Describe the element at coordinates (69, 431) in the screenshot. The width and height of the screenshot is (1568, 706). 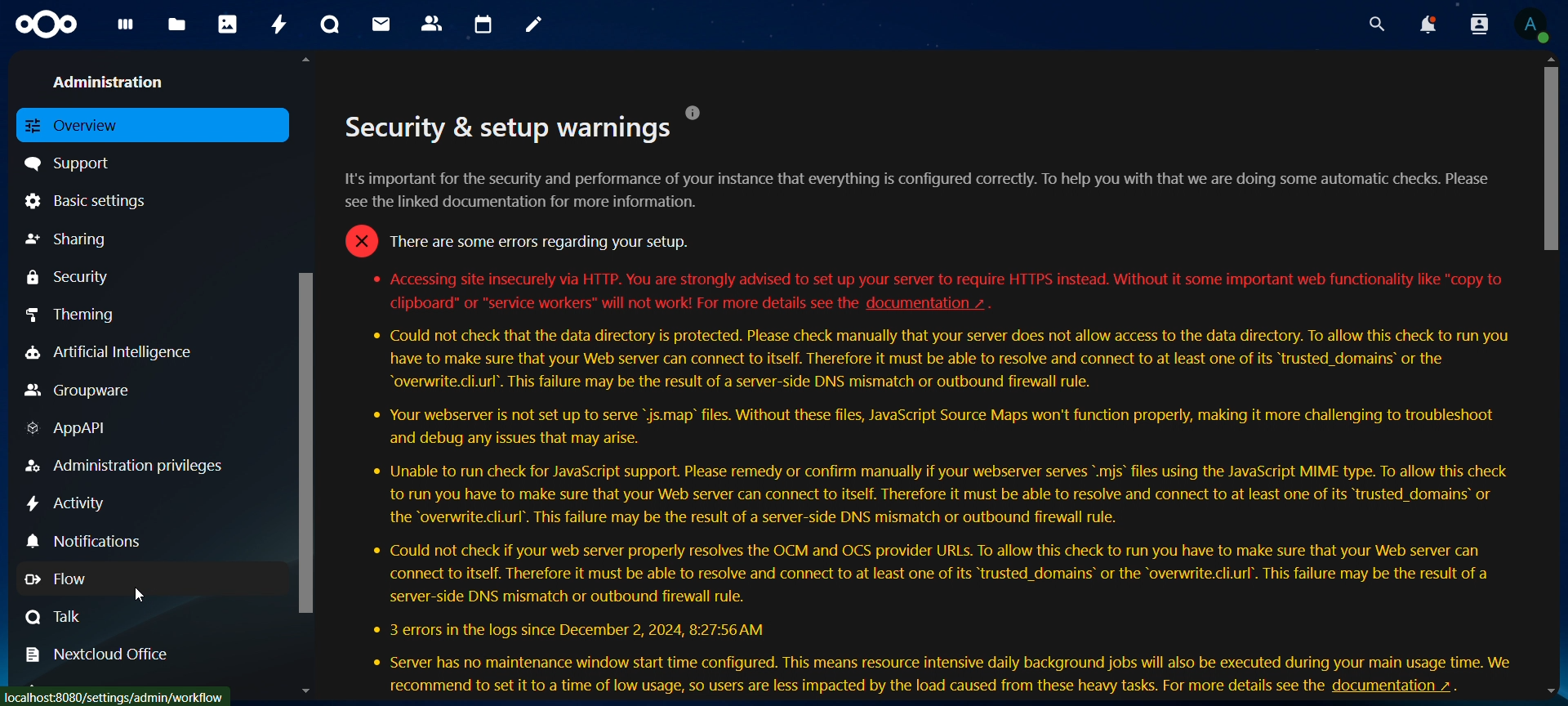
I see `APPAPI` at that location.